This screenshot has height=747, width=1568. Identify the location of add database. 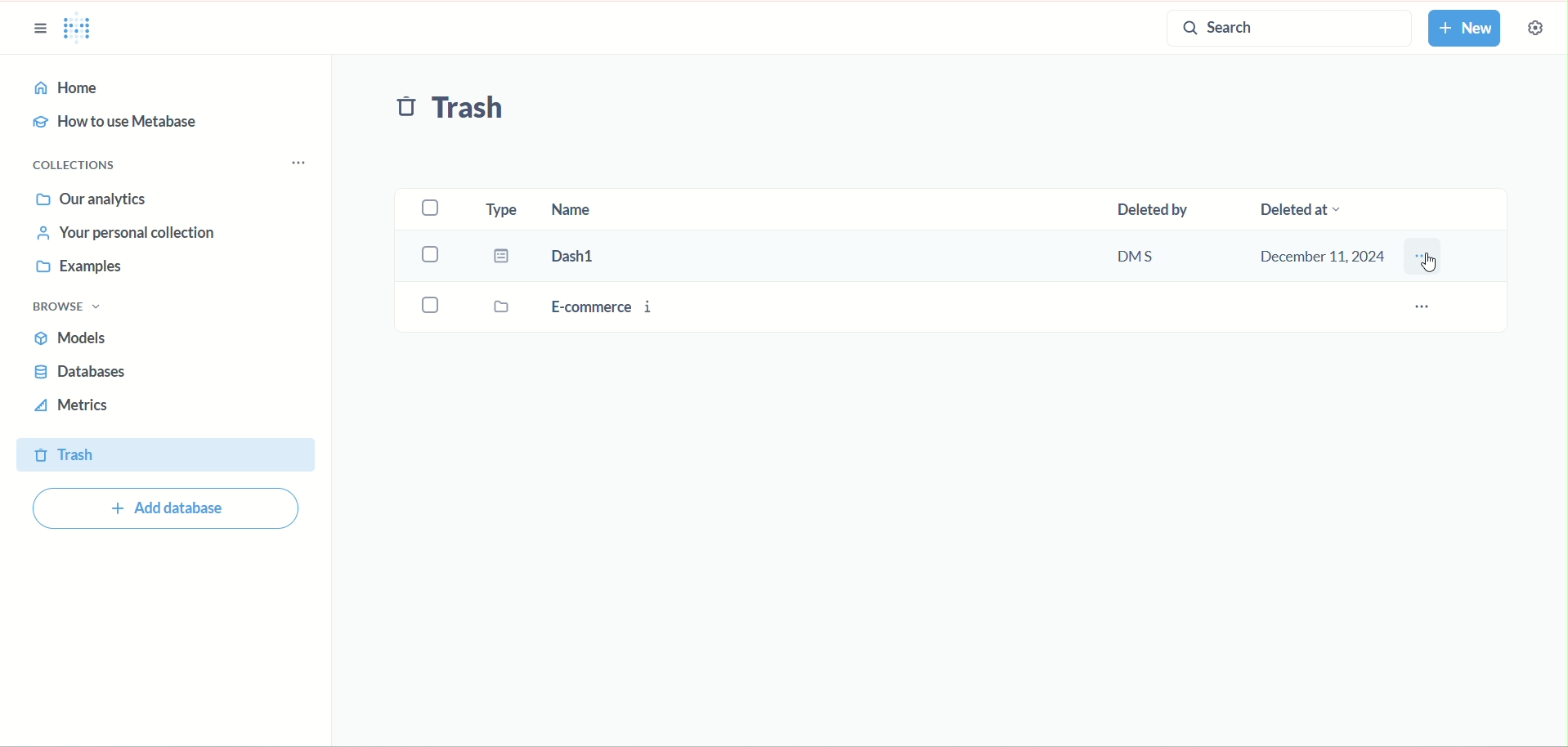
(175, 509).